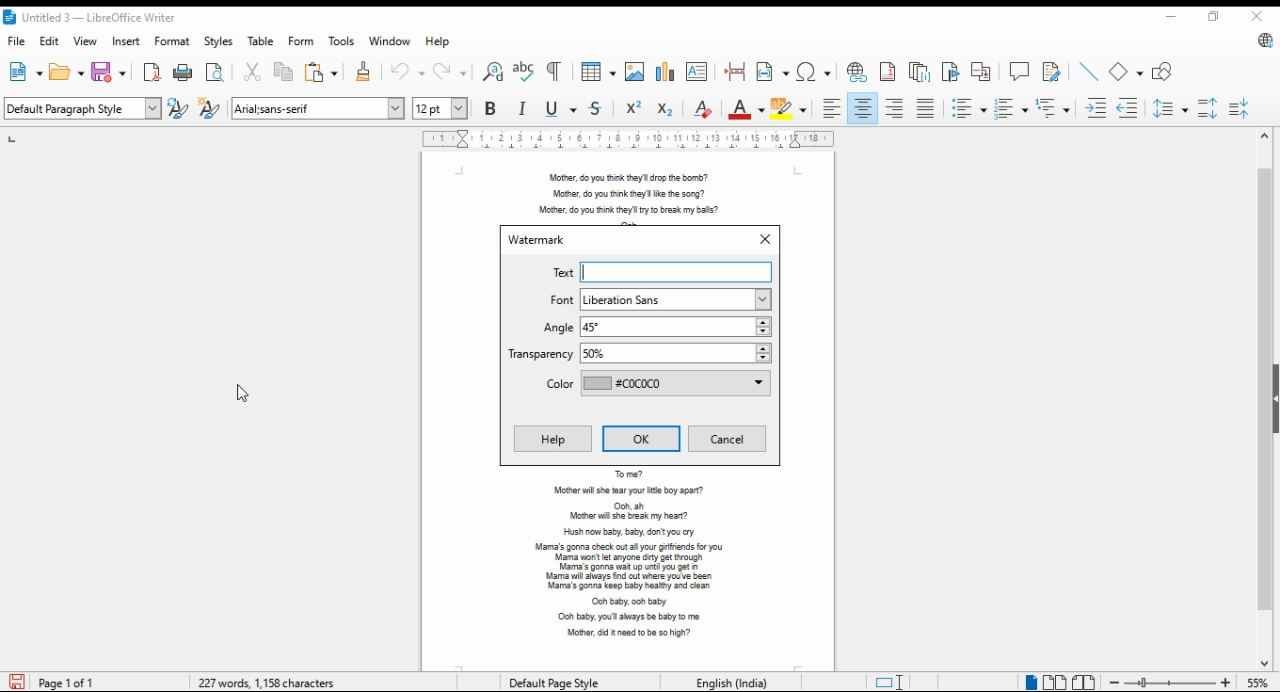  Describe the element at coordinates (897, 108) in the screenshot. I see `align right ` at that location.